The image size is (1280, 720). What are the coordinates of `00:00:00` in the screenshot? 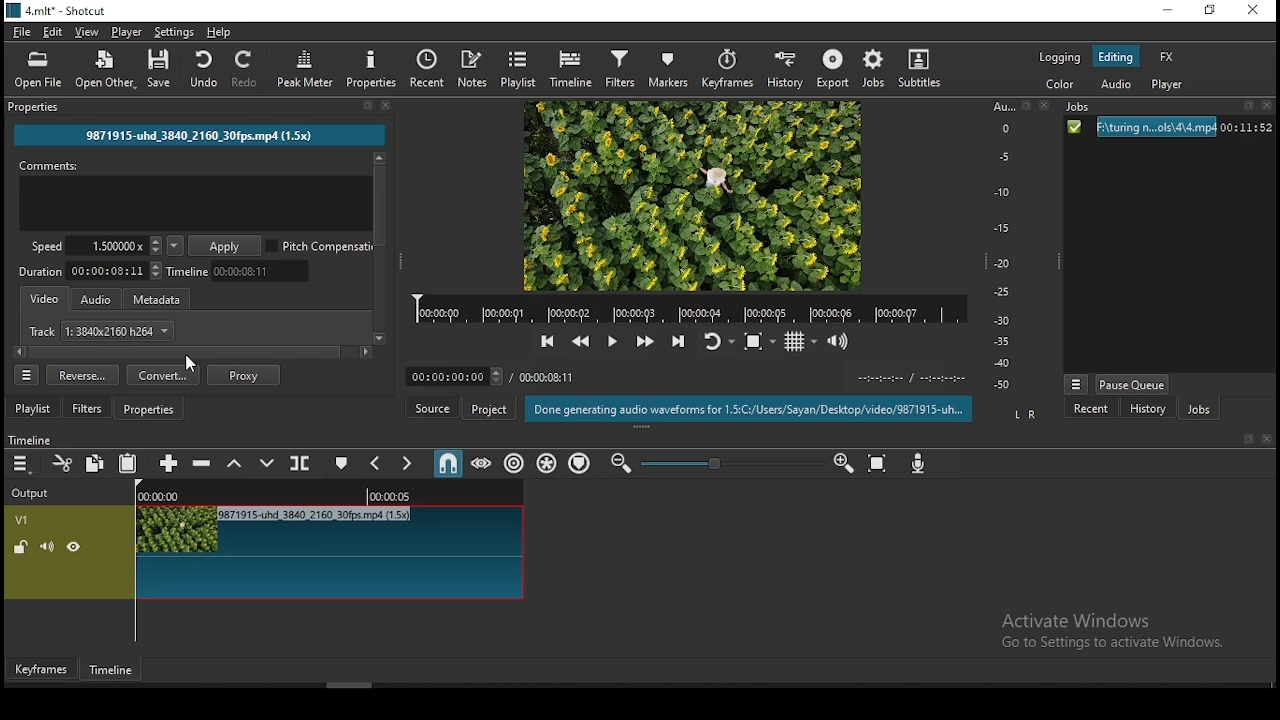 It's located at (166, 494).